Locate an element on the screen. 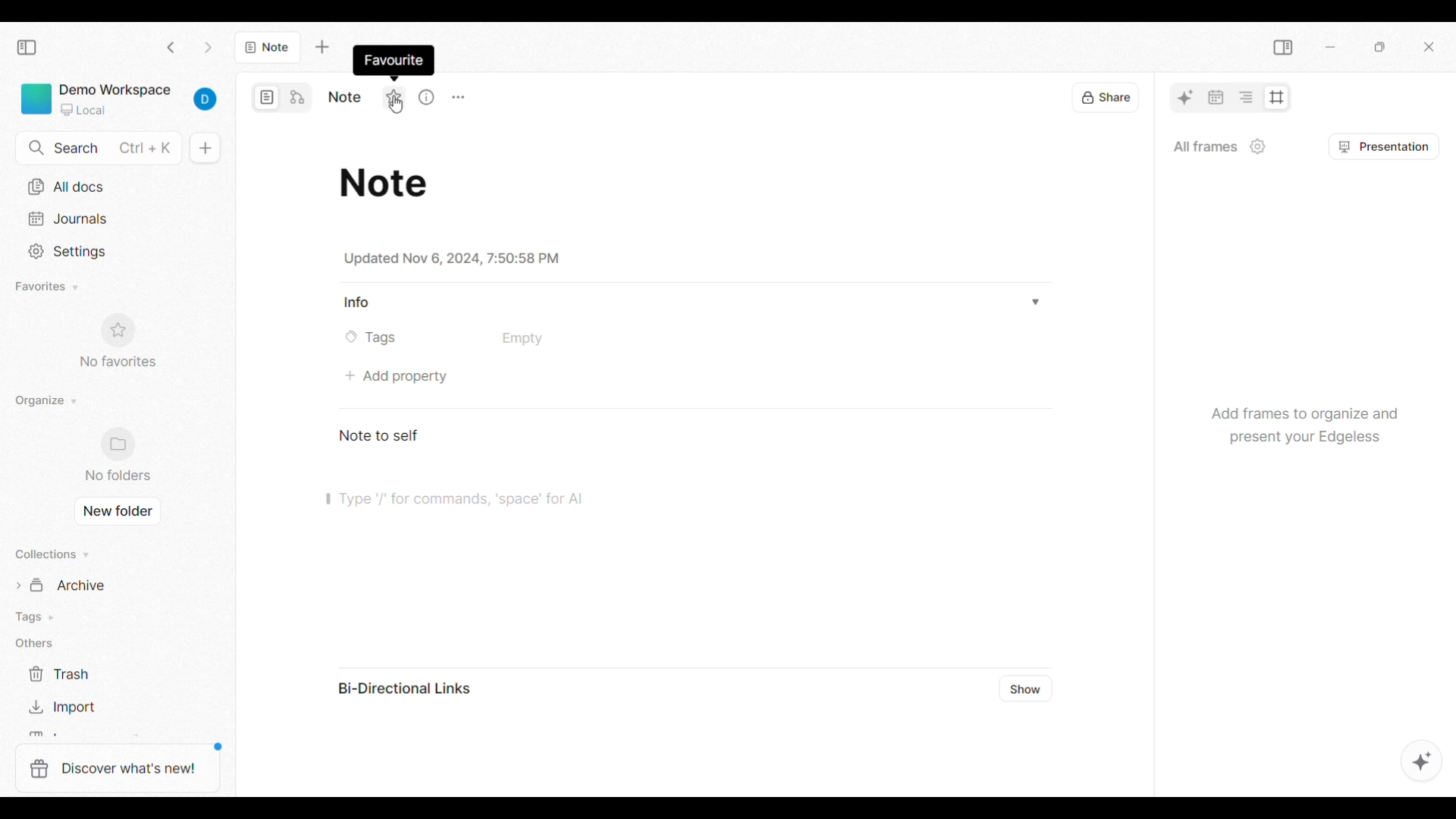 The width and height of the screenshot is (1456, 819). Favourite is located at coordinates (390, 58).